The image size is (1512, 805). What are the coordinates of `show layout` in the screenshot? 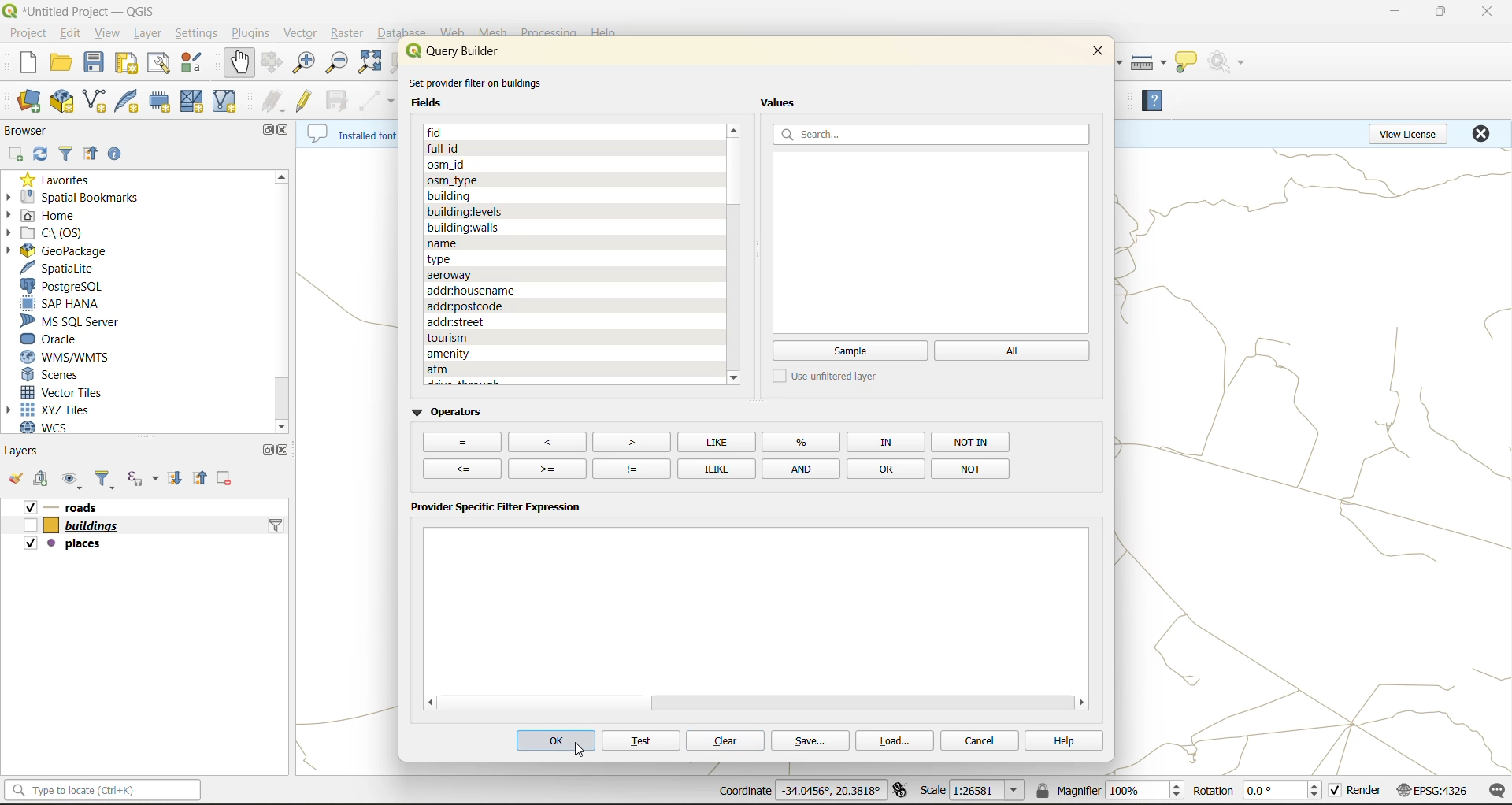 It's located at (160, 65).